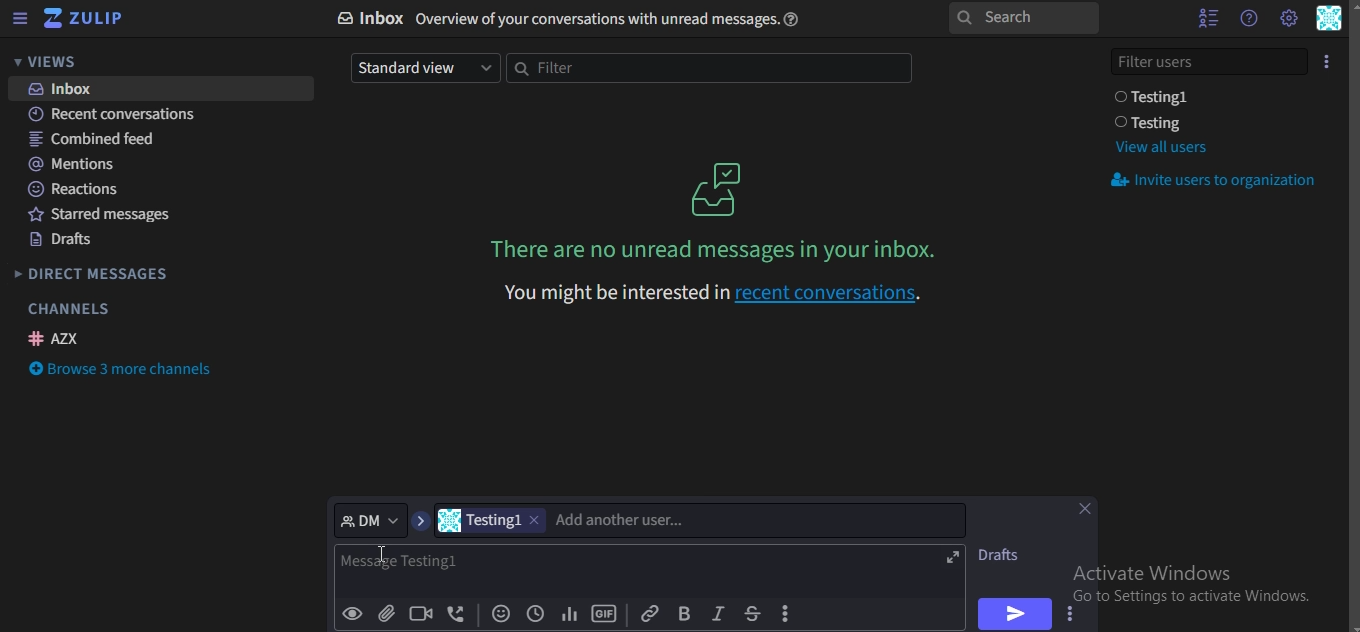  Describe the element at coordinates (85, 19) in the screenshot. I see `icon` at that location.